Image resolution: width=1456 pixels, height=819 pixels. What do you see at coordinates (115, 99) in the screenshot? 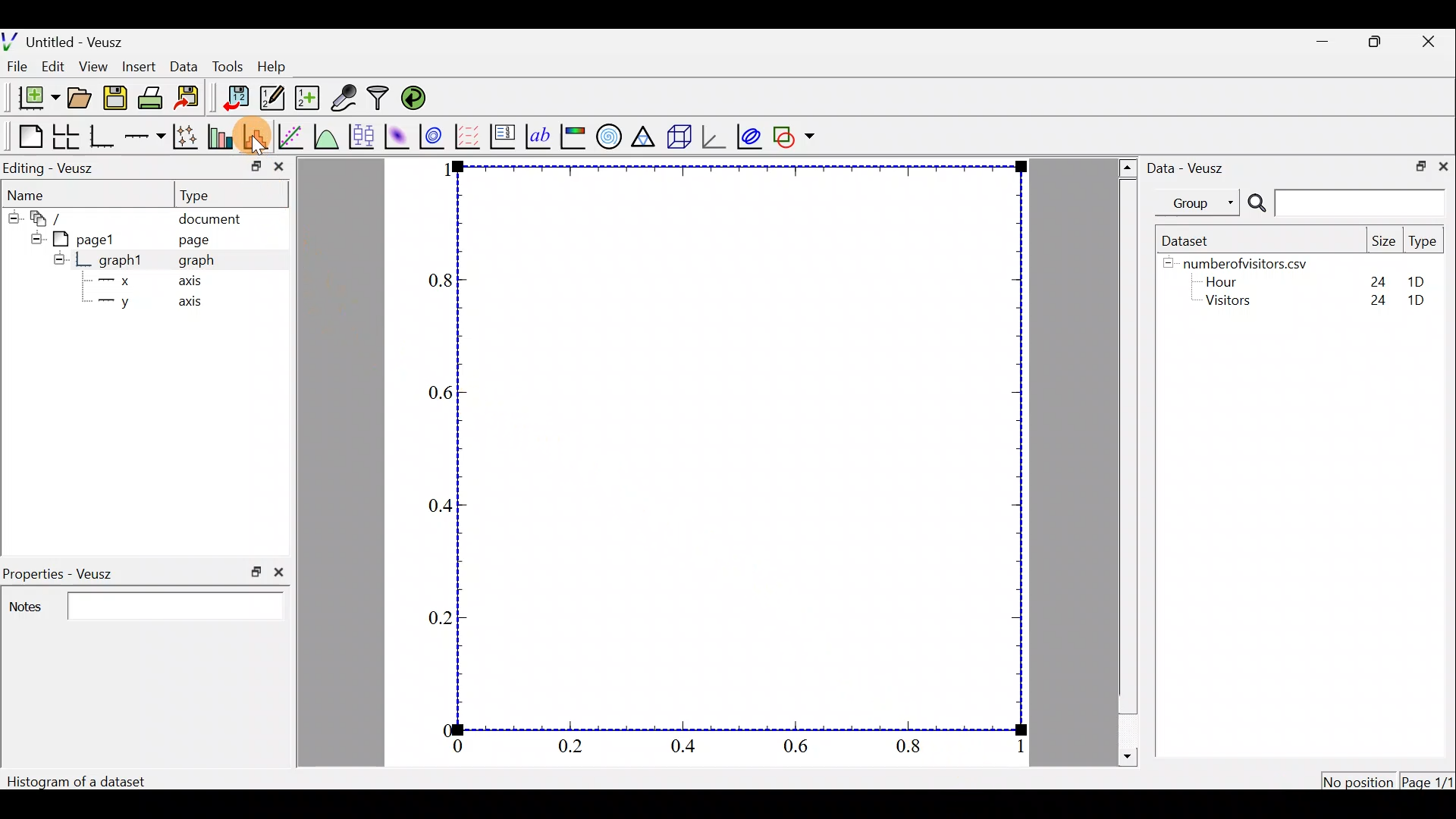
I see `save the document` at bounding box center [115, 99].